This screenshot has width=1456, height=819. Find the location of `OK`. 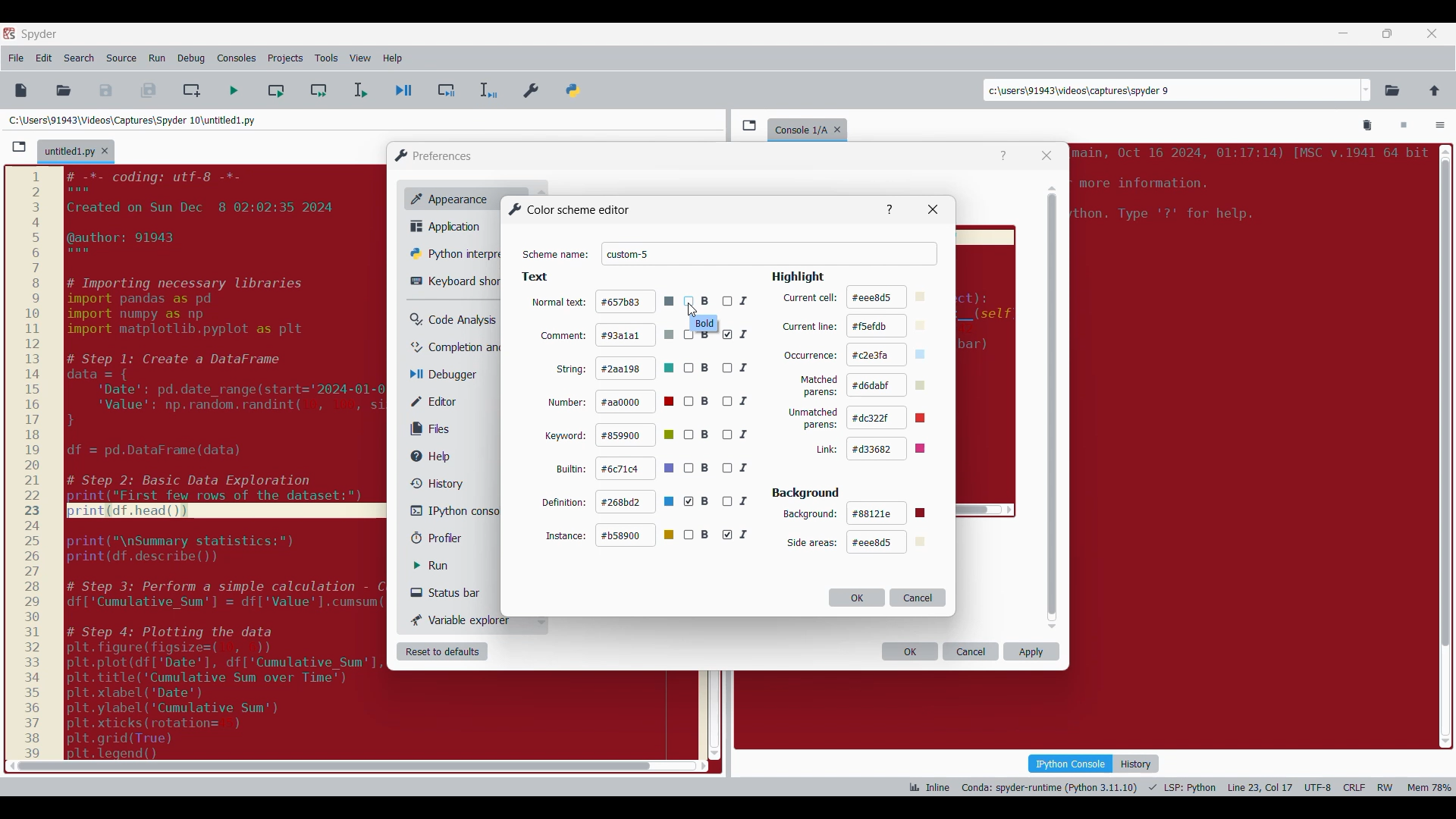

OK is located at coordinates (857, 598).